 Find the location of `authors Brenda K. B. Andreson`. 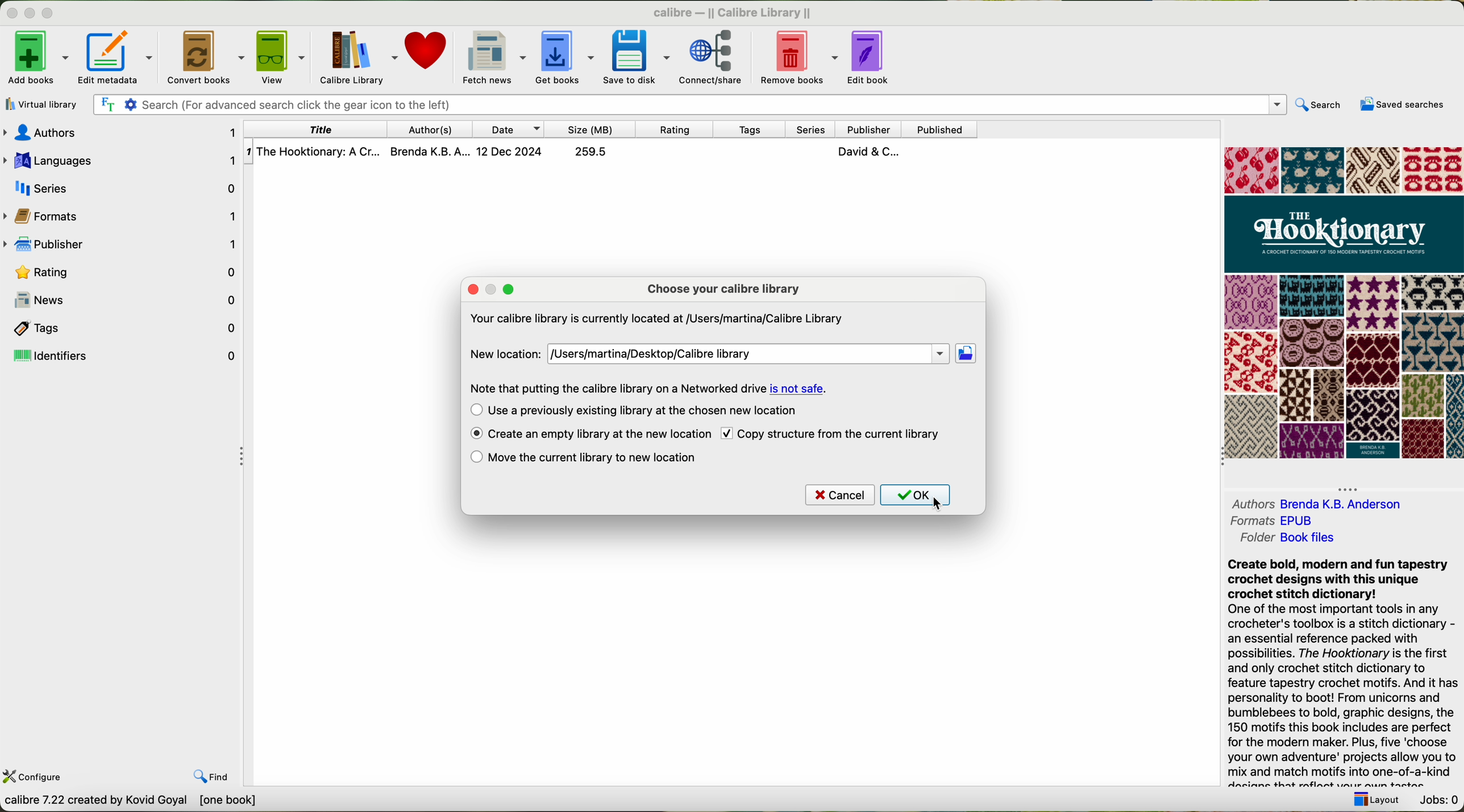

authors Brenda K. B. Andreson is located at coordinates (1316, 504).